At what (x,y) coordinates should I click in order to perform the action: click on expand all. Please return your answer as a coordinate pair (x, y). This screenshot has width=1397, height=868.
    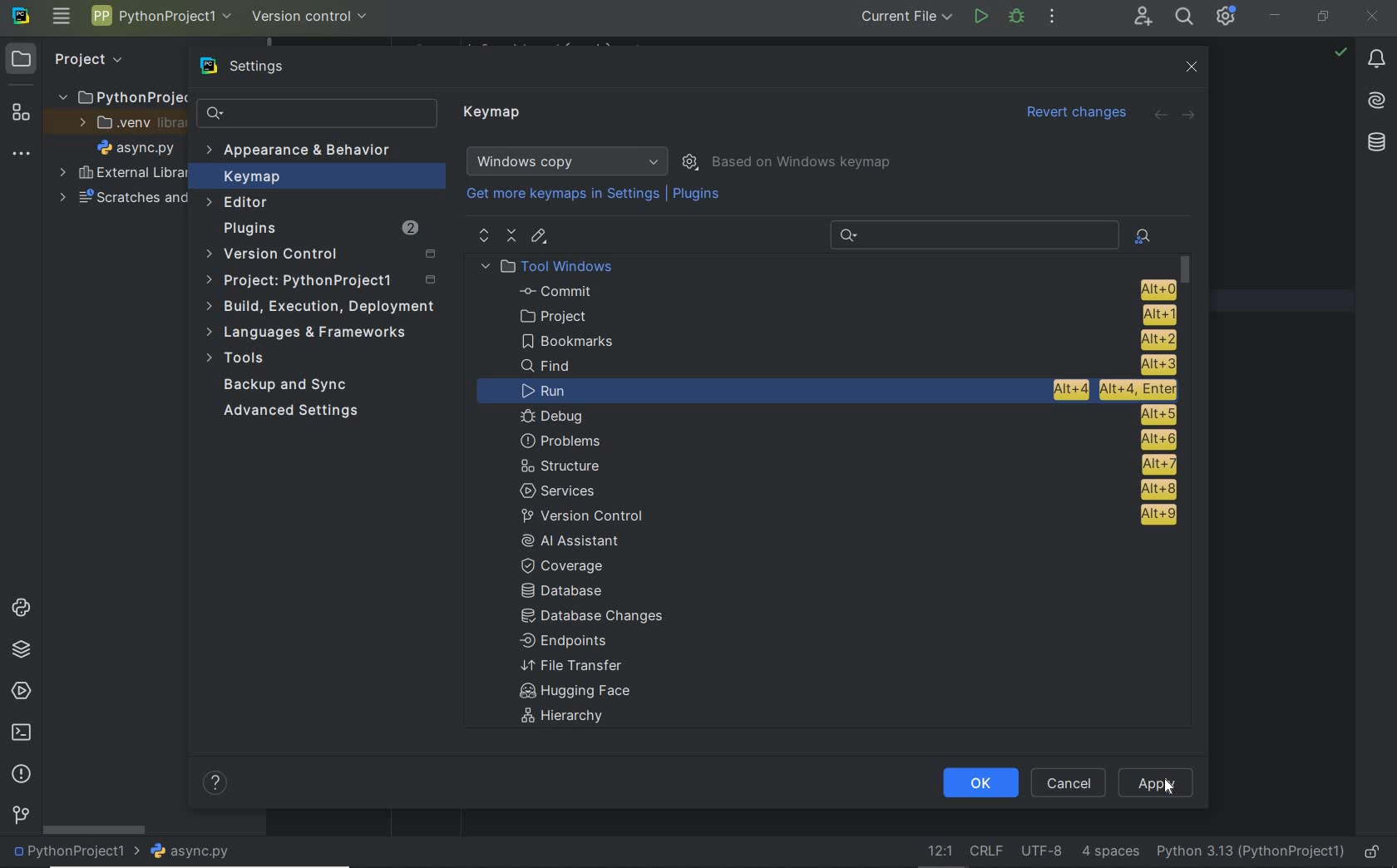
    Looking at the image, I should click on (482, 235).